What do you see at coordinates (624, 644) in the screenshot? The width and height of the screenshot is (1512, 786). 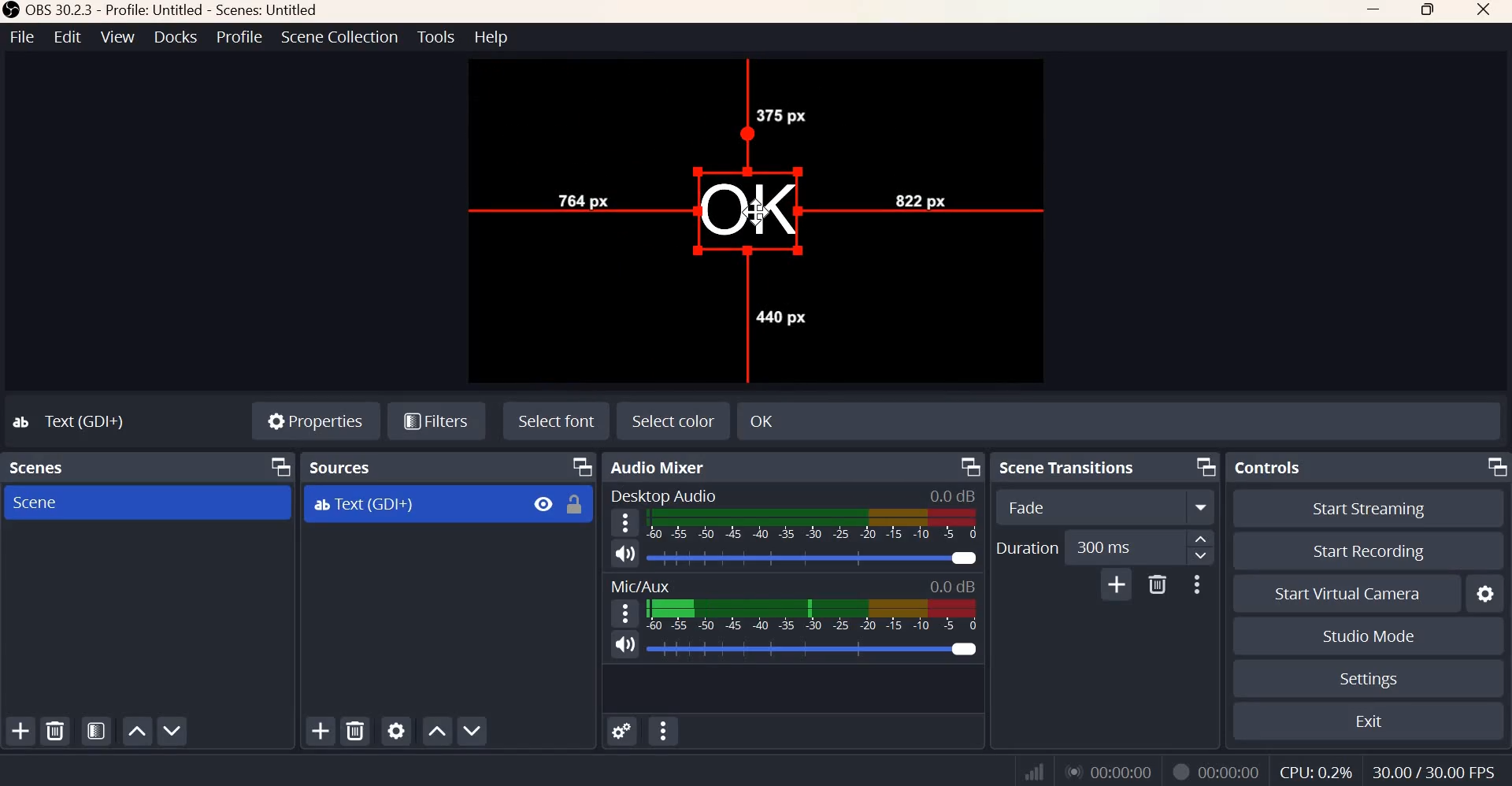 I see `Speaker Icon` at bounding box center [624, 644].